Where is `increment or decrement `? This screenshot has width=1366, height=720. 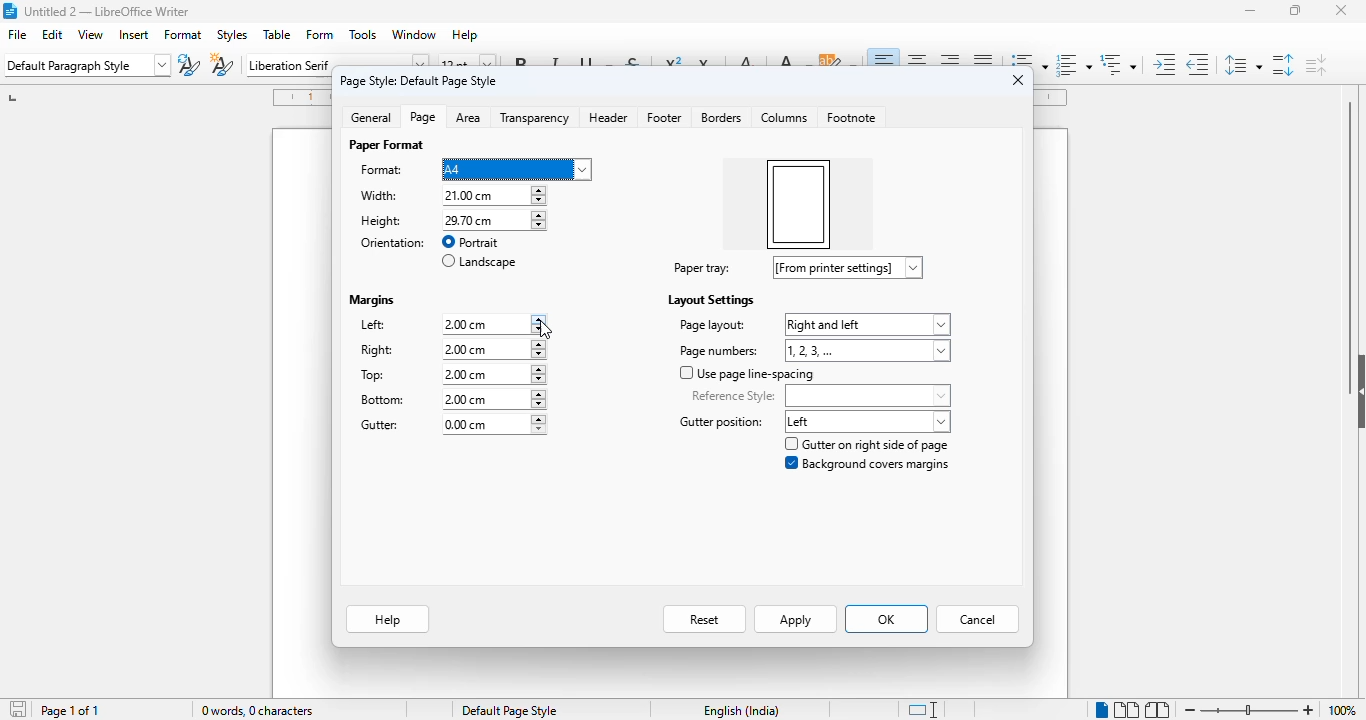 increment or decrement  is located at coordinates (543, 425).